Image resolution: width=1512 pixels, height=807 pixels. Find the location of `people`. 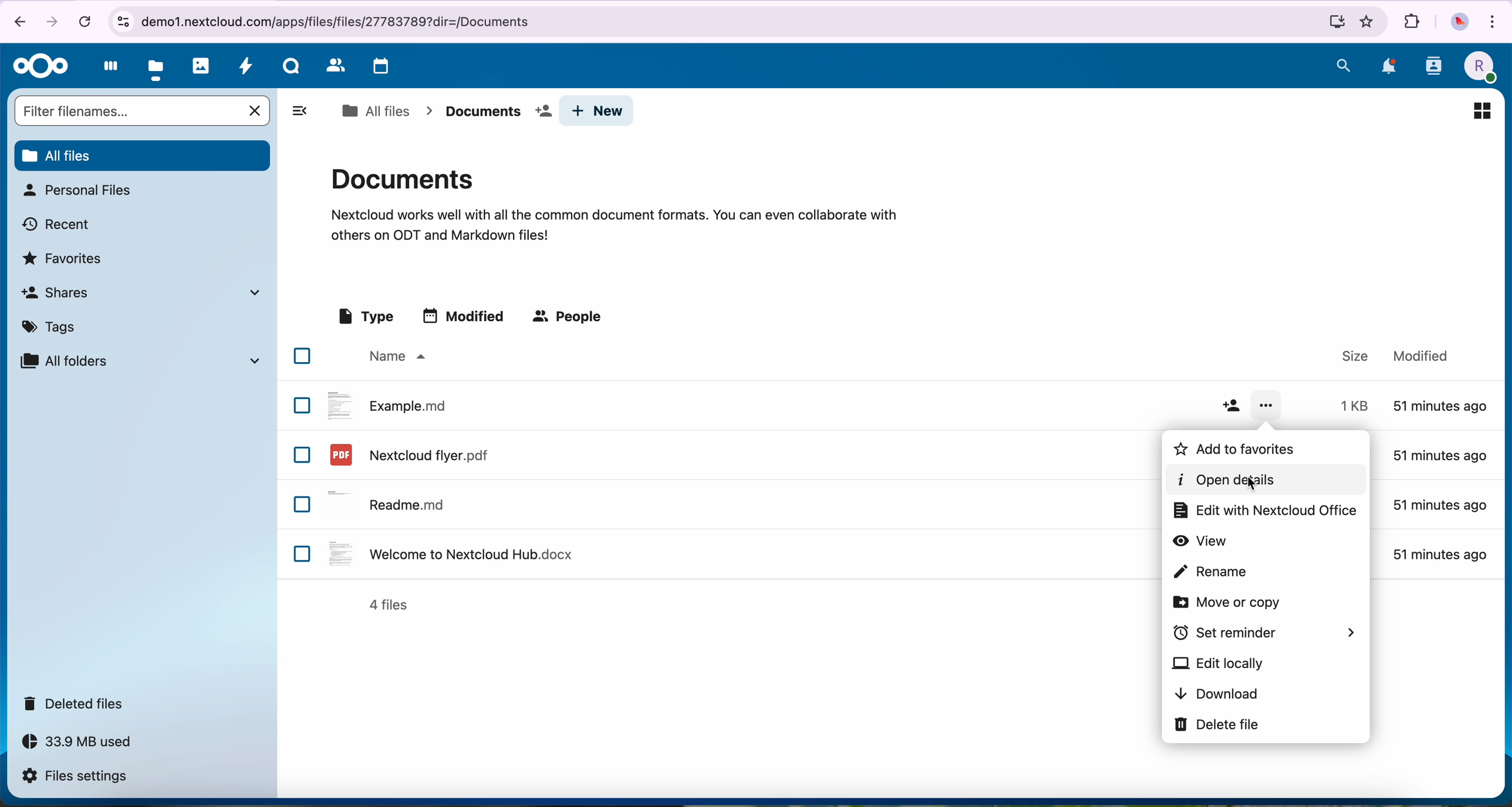

people is located at coordinates (570, 318).